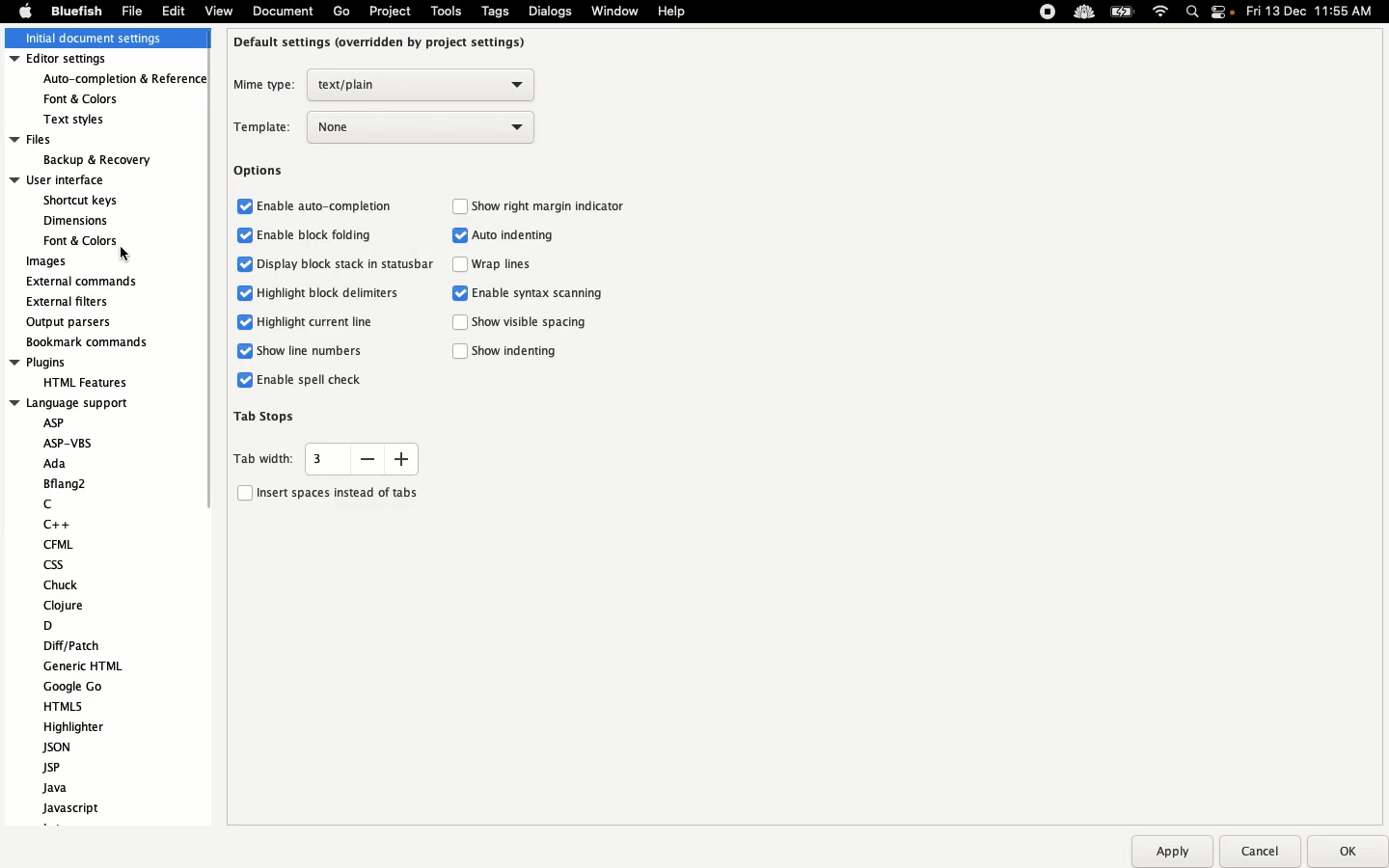  Describe the element at coordinates (87, 120) in the screenshot. I see `text styles` at that location.